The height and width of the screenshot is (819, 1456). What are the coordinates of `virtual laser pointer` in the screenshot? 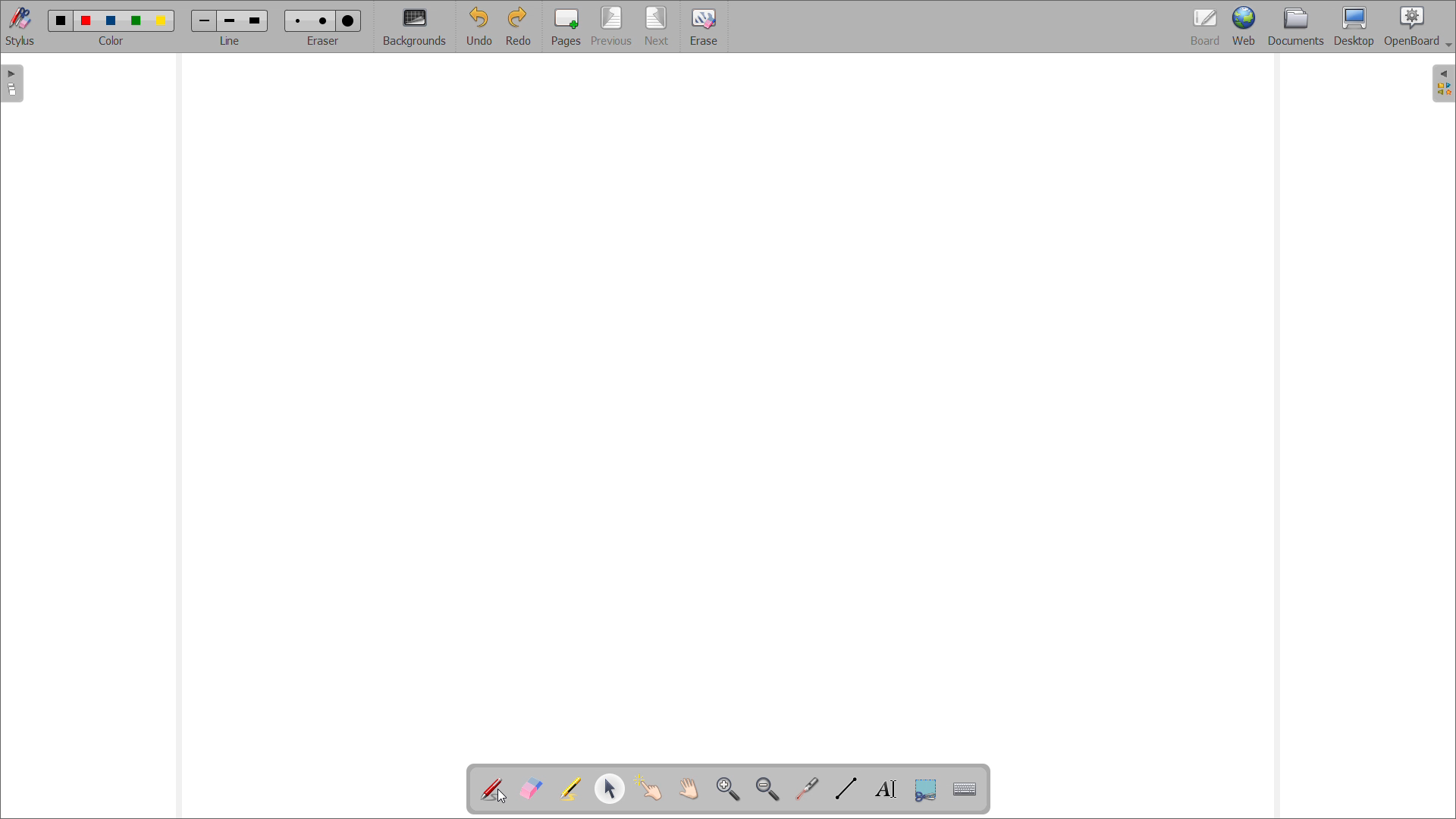 It's located at (808, 787).